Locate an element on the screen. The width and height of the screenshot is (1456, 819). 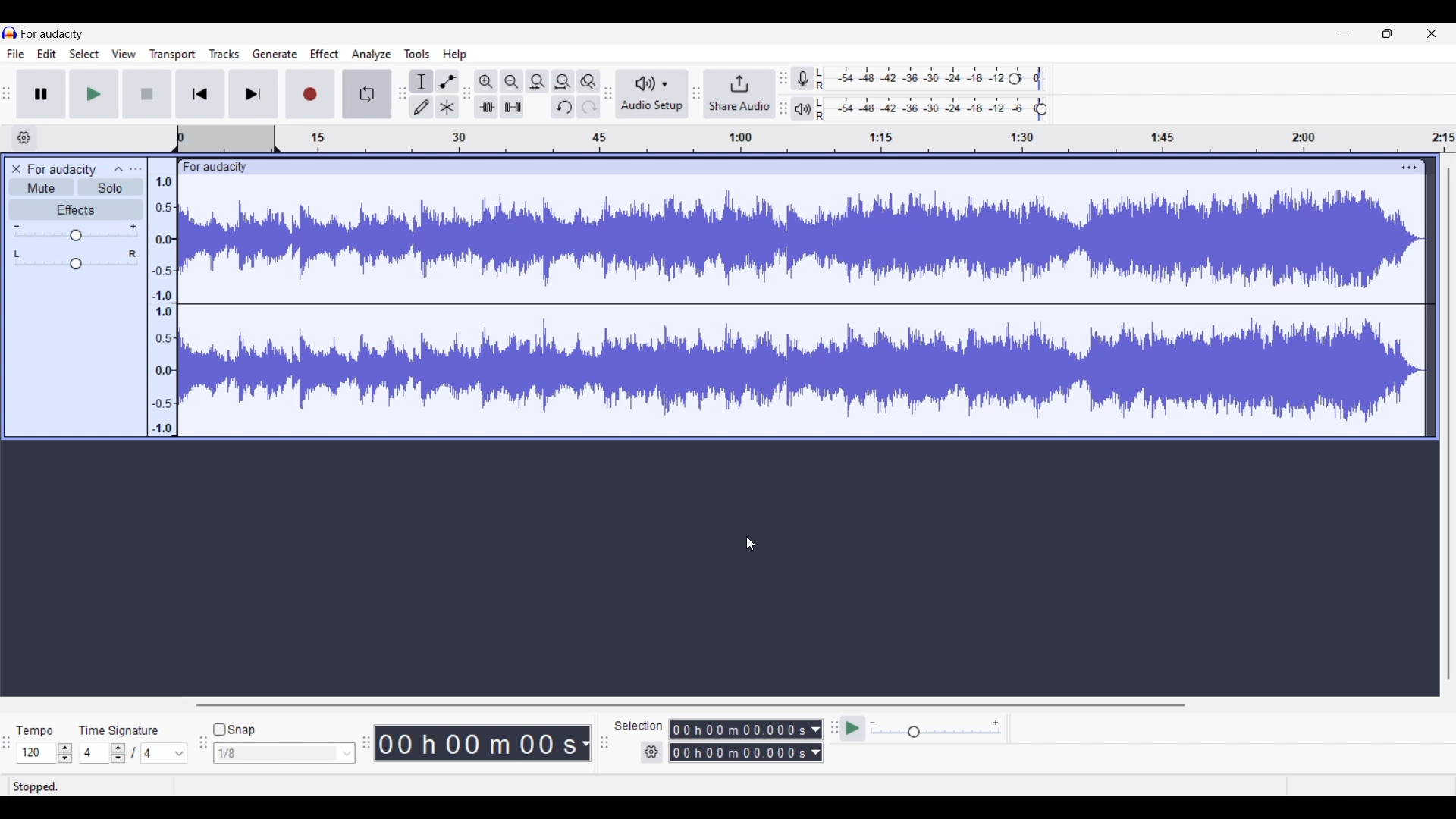
Min. playback speed is located at coordinates (873, 723).